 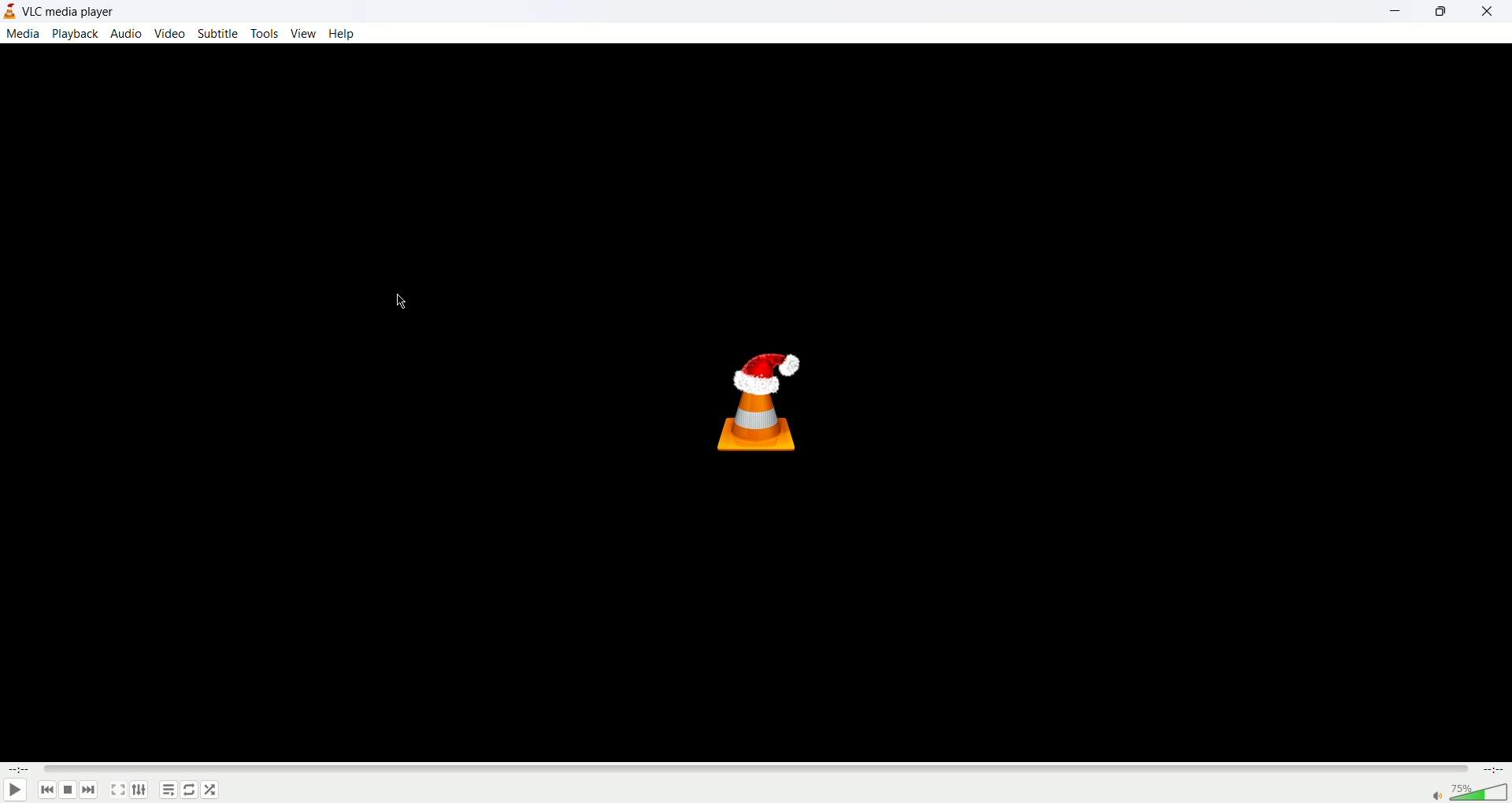 I want to click on stop, so click(x=69, y=791).